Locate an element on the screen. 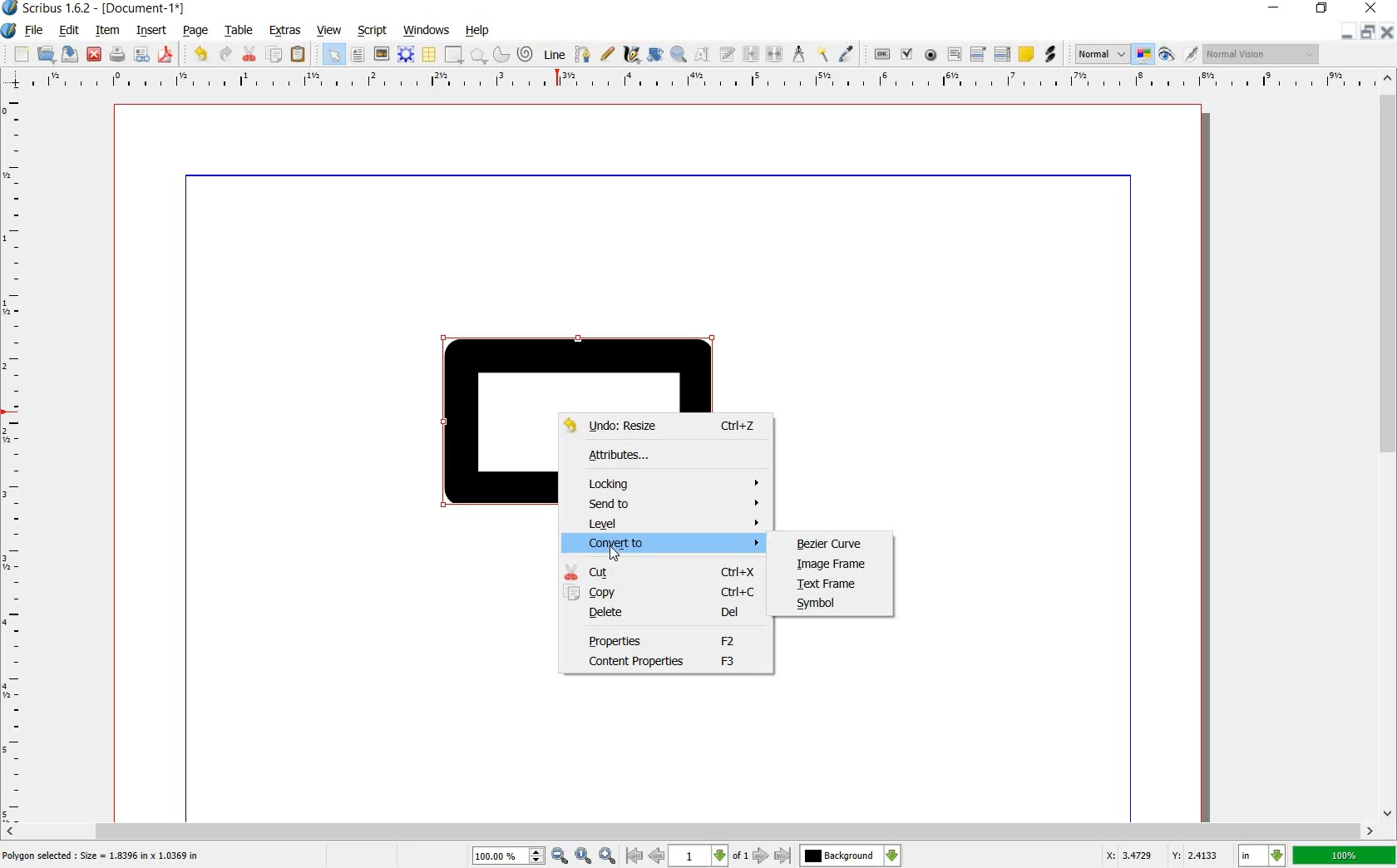  script is located at coordinates (371, 29).